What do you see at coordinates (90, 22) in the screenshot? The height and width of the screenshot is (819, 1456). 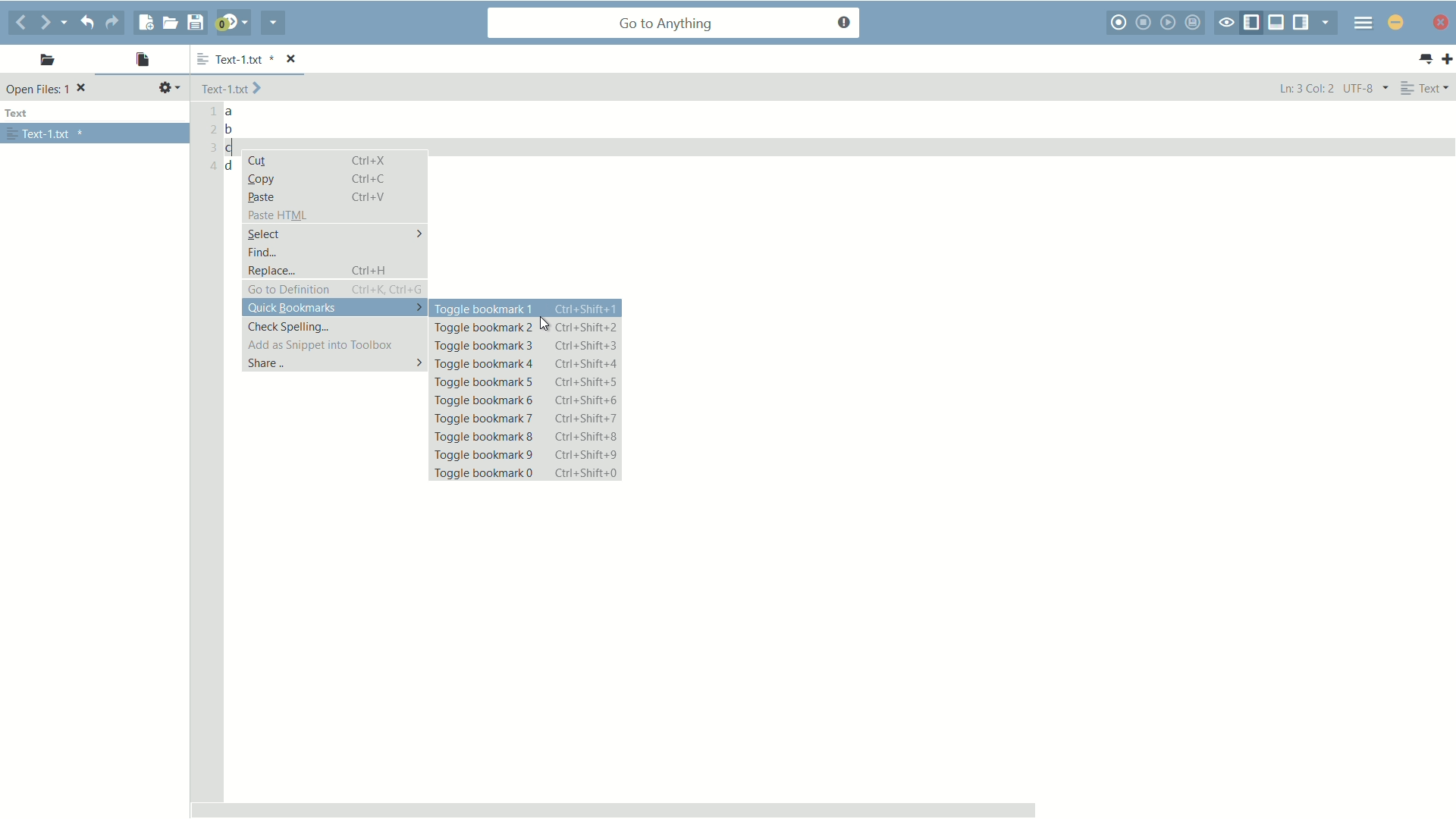 I see `undo` at bounding box center [90, 22].